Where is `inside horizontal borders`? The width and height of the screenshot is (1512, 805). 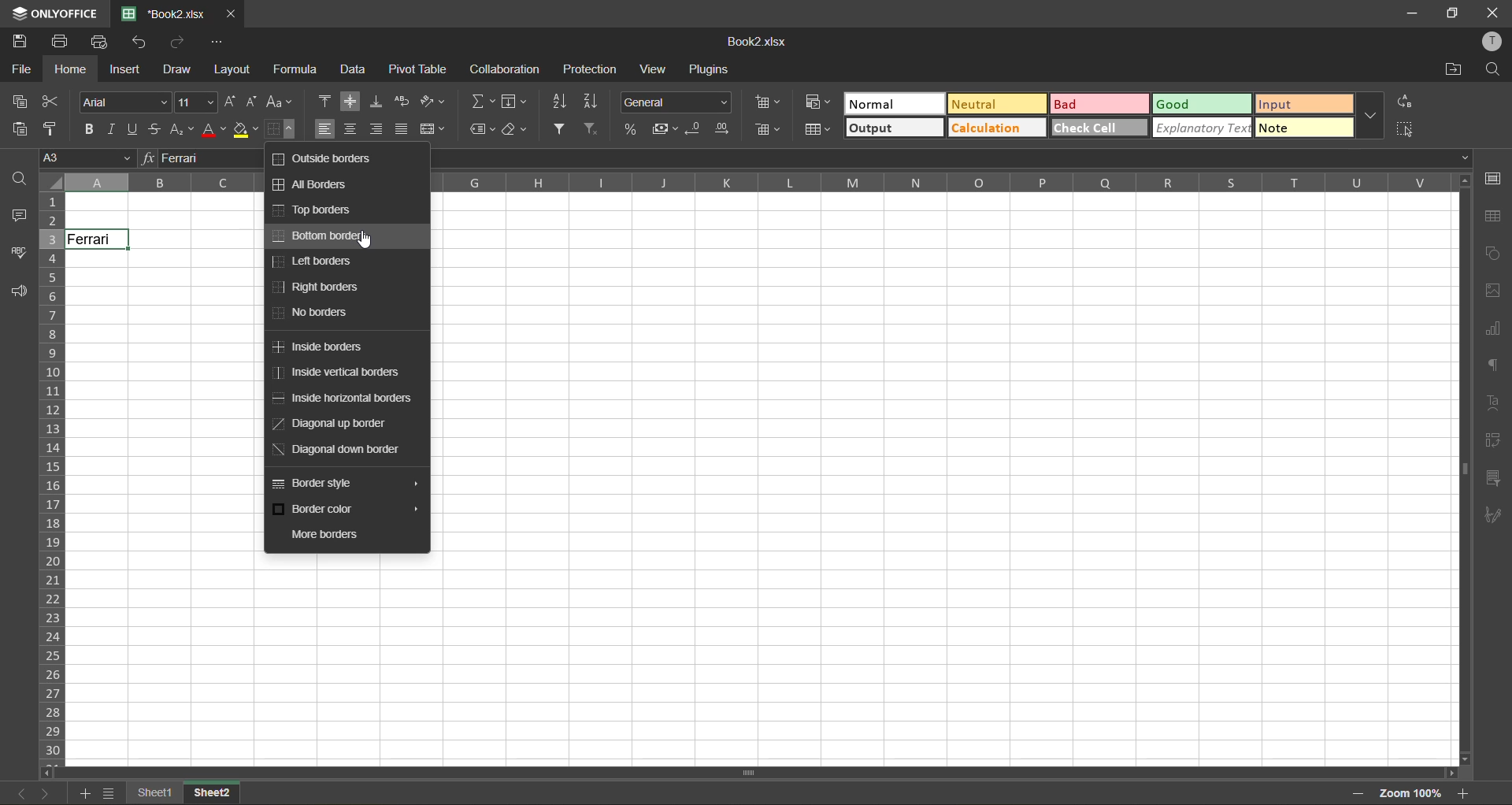 inside horizontal borders is located at coordinates (341, 400).